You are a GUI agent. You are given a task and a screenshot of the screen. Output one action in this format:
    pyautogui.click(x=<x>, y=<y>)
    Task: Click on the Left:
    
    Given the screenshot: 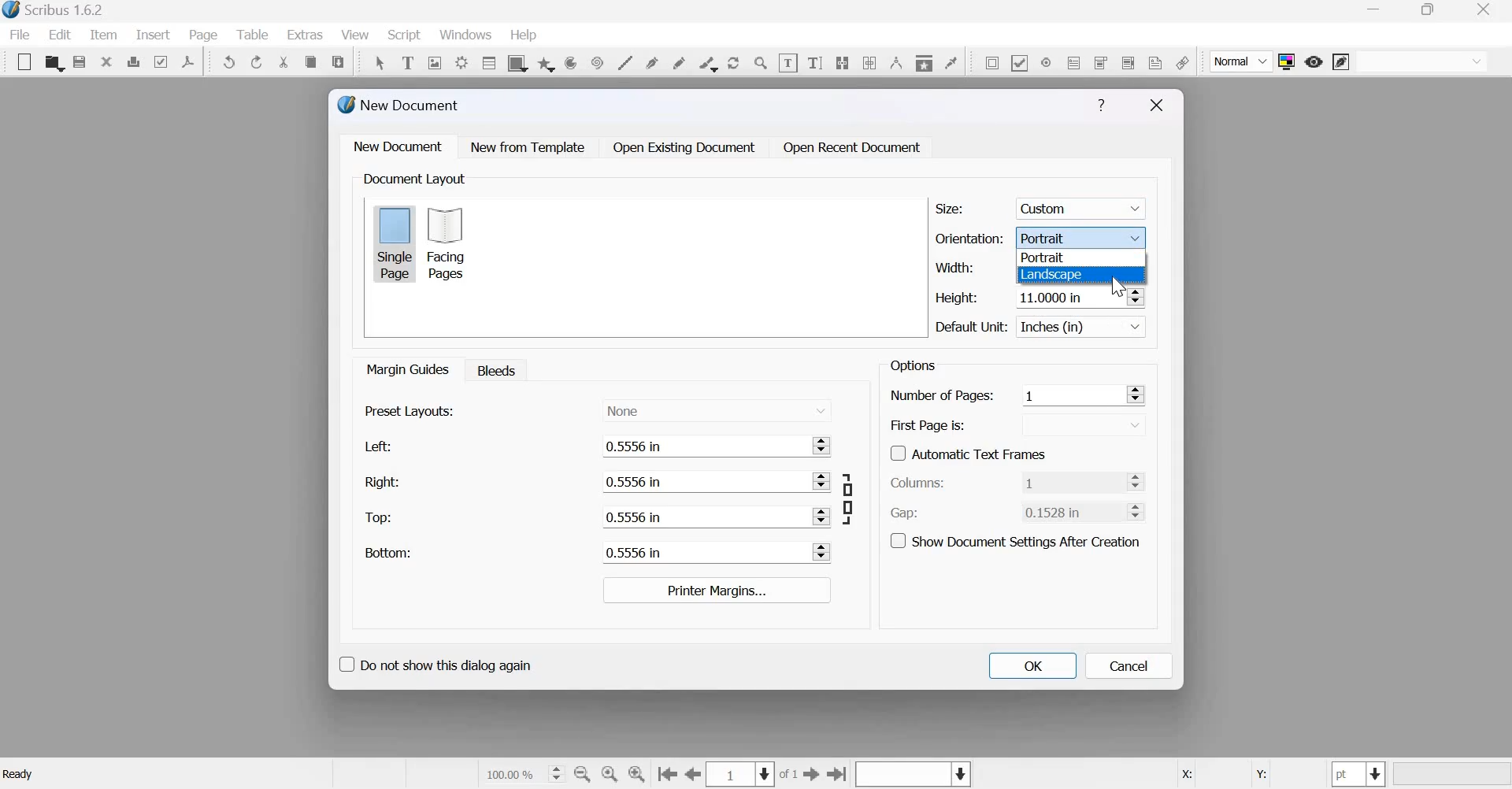 What is the action you would take?
    pyautogui.click(x=376, y=446)
    